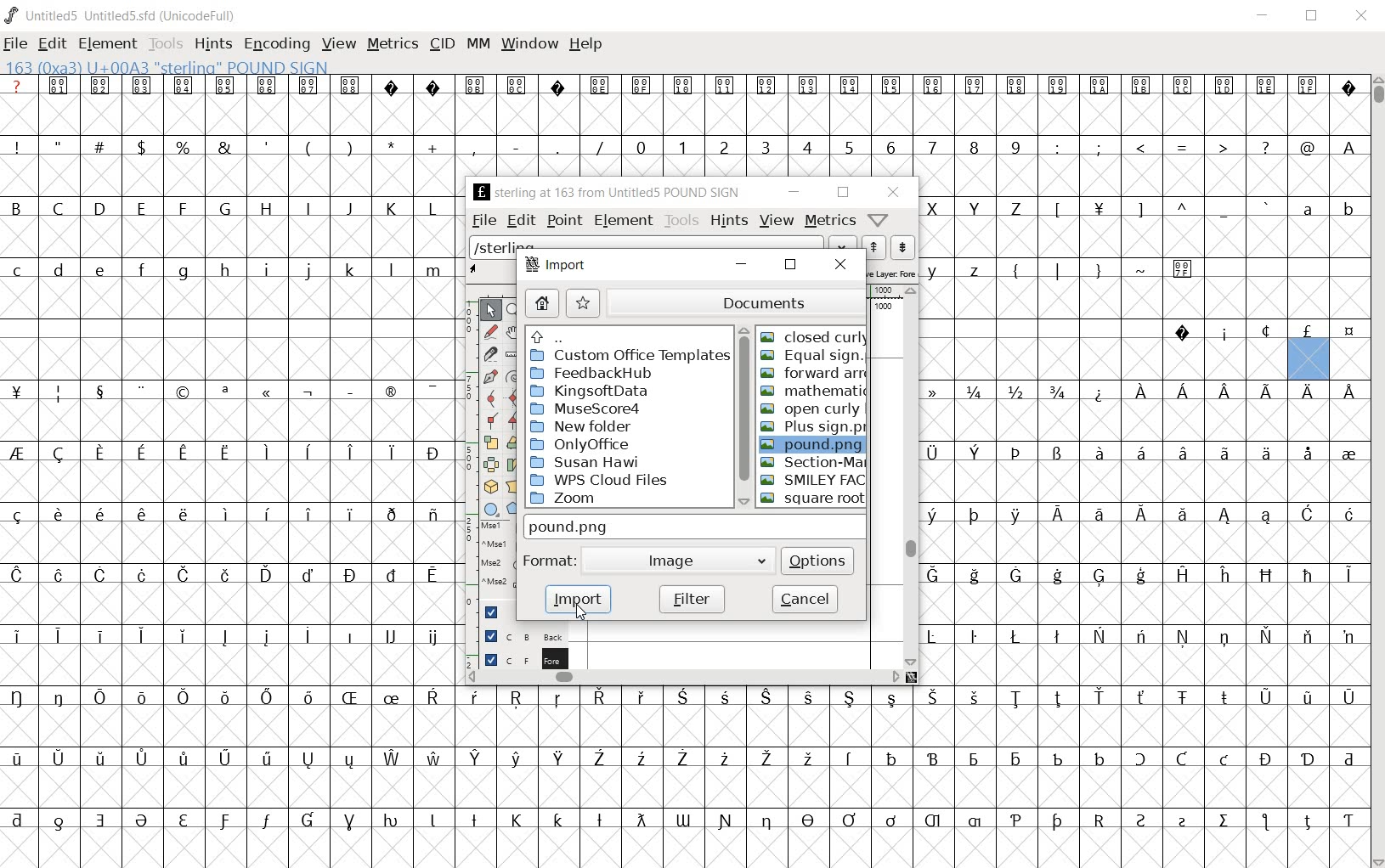  I want to click on Symbol, so click(140, 758).